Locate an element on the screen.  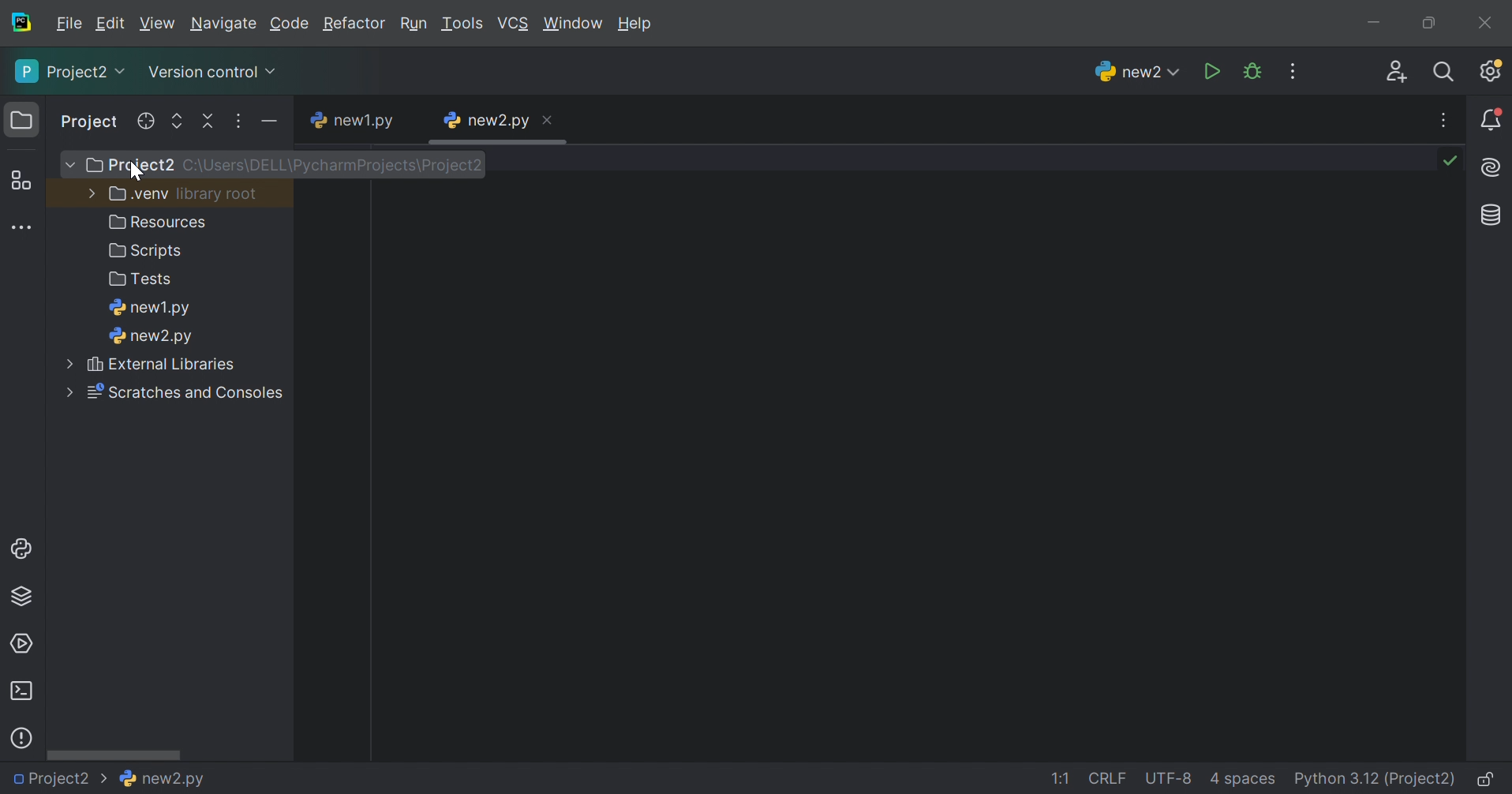
scroll bar is located at coordinates (501, 143).